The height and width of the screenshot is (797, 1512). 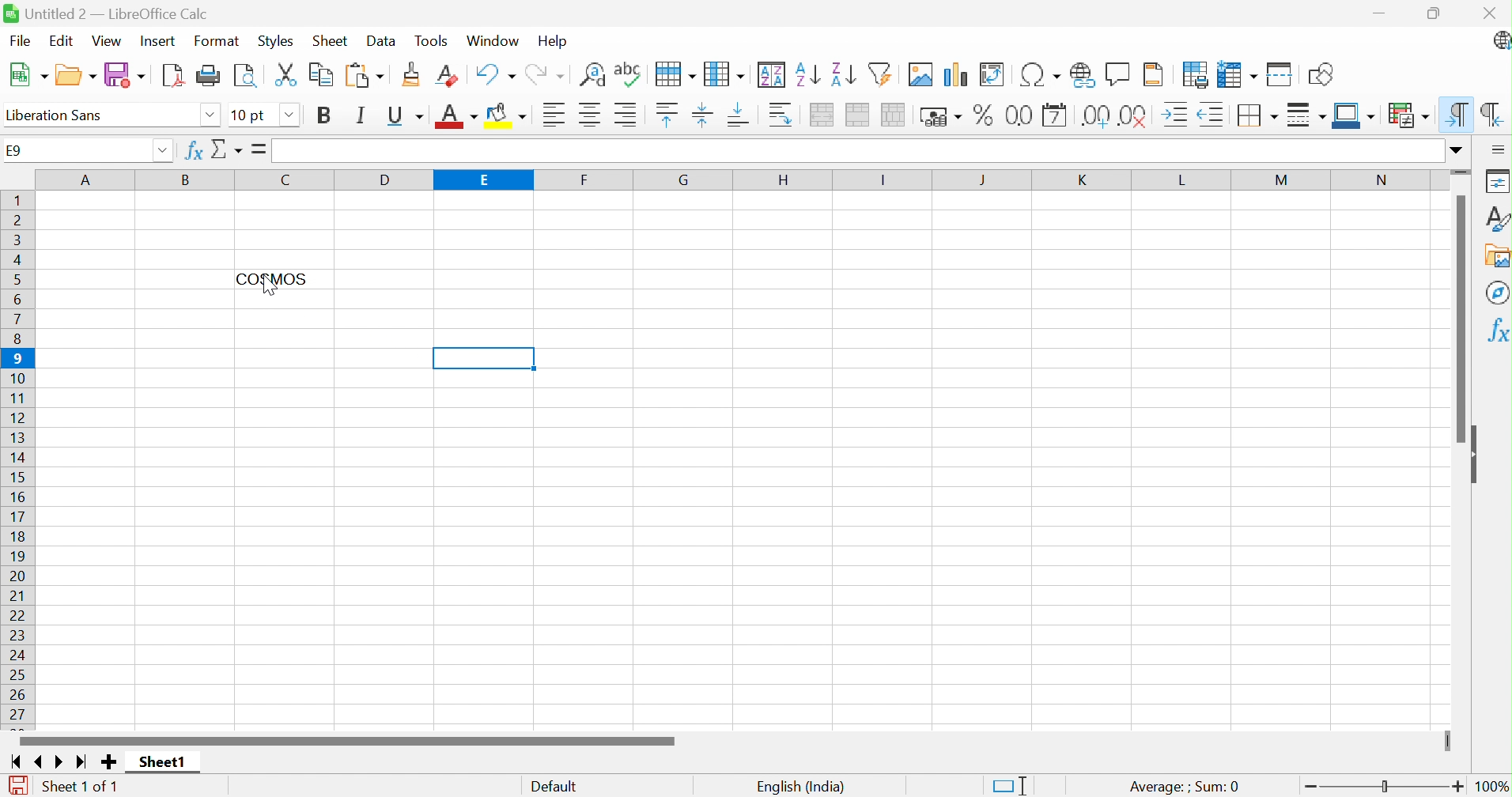 I want to click on Borders, so click(x=1255, y=116).